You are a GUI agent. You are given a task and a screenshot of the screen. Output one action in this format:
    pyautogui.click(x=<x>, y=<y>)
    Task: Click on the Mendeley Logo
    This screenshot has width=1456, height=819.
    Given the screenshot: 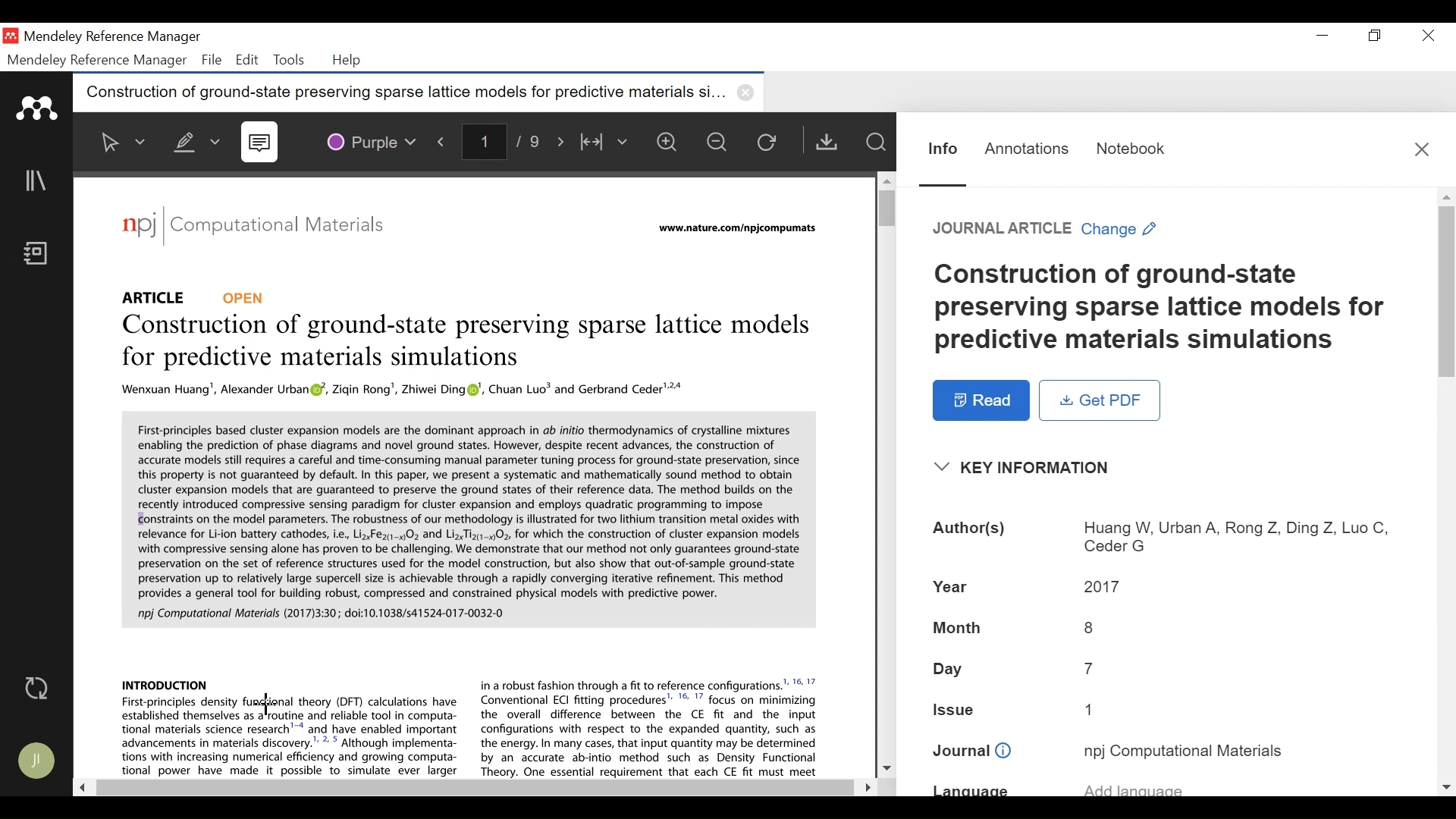 What is the action you would take?
    pyautogui.click(x=38, y=108)
    